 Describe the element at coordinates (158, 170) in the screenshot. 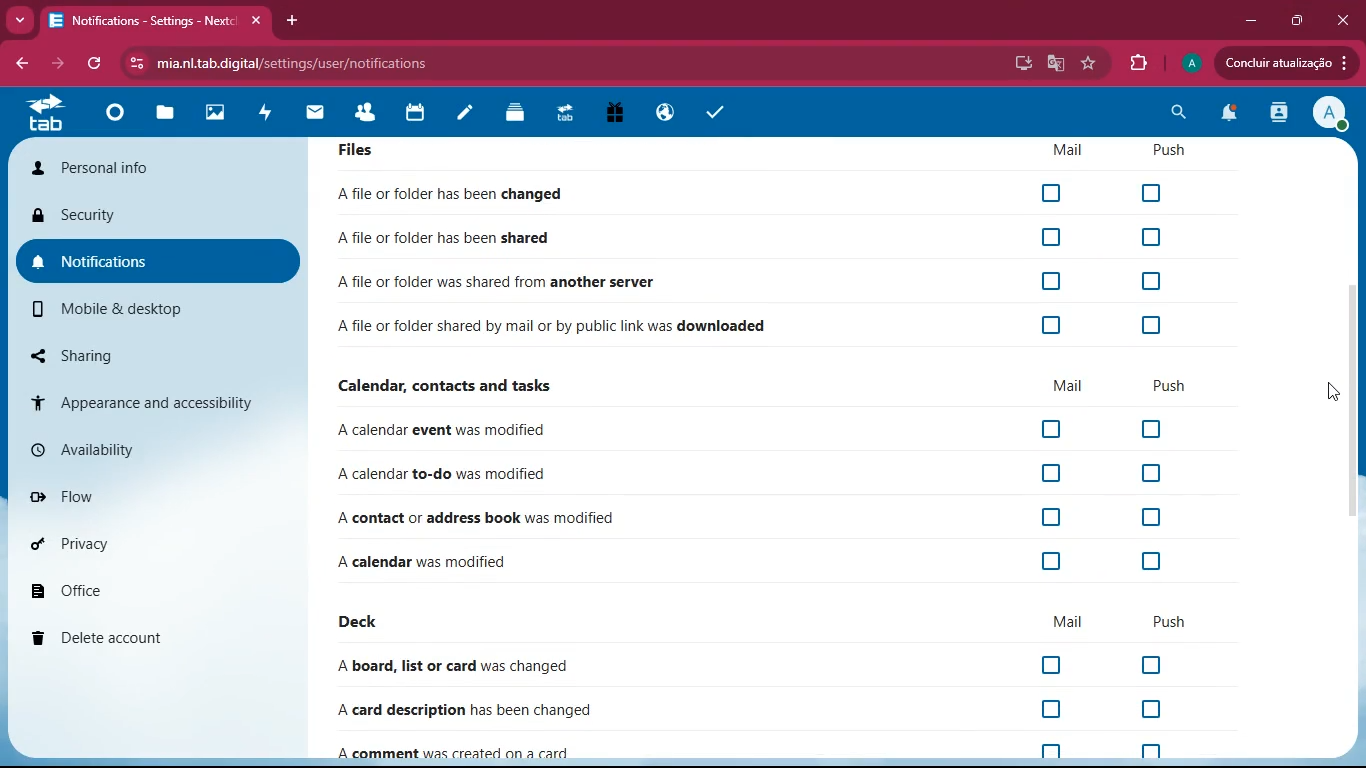

I see `personal info` at that location.